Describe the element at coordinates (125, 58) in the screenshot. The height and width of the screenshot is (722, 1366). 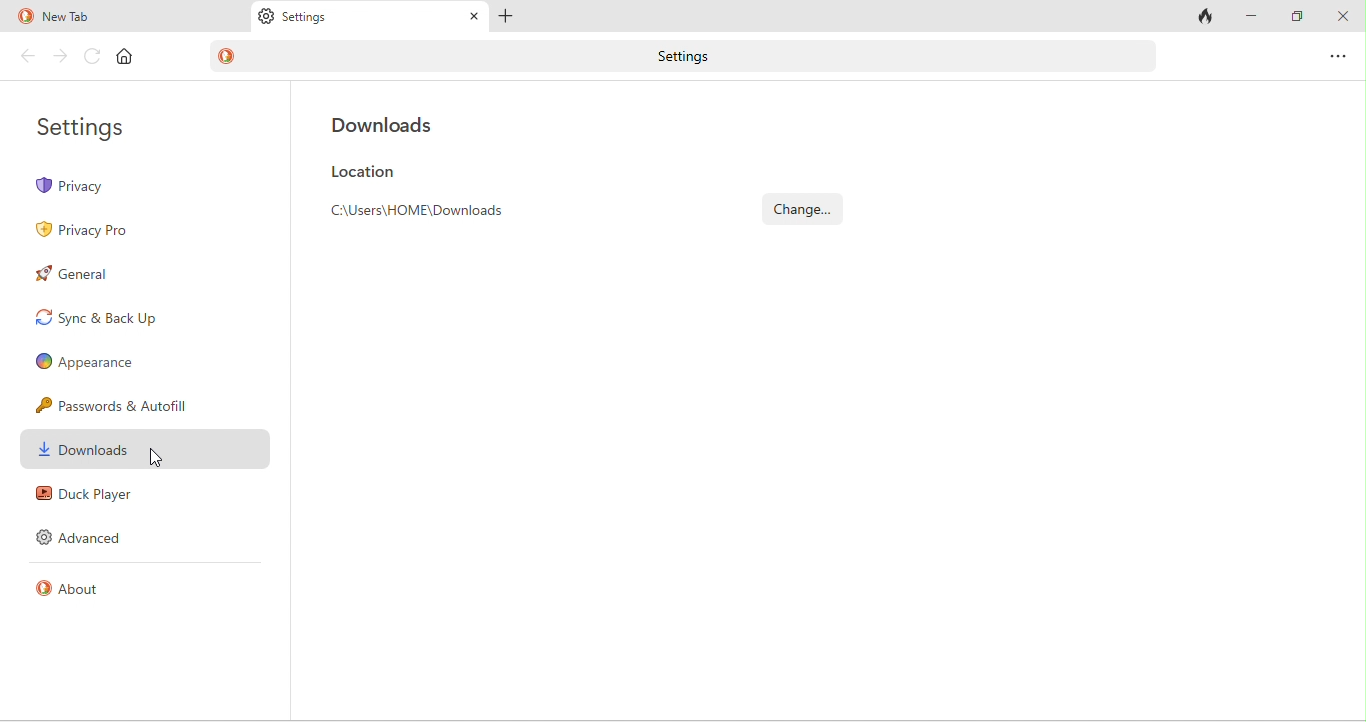
I see `home` at that location.